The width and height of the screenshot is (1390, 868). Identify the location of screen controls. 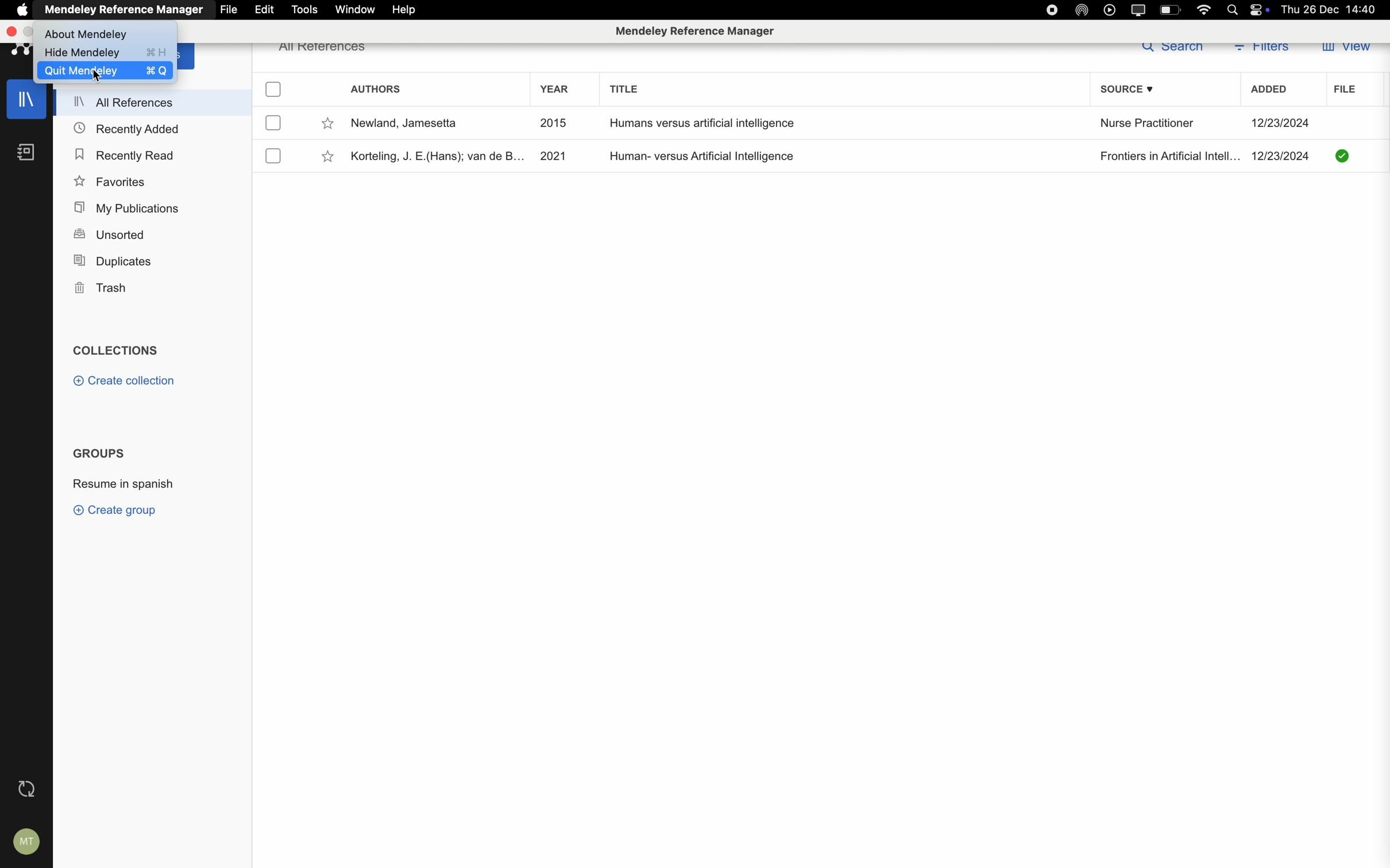
(1262, 10).